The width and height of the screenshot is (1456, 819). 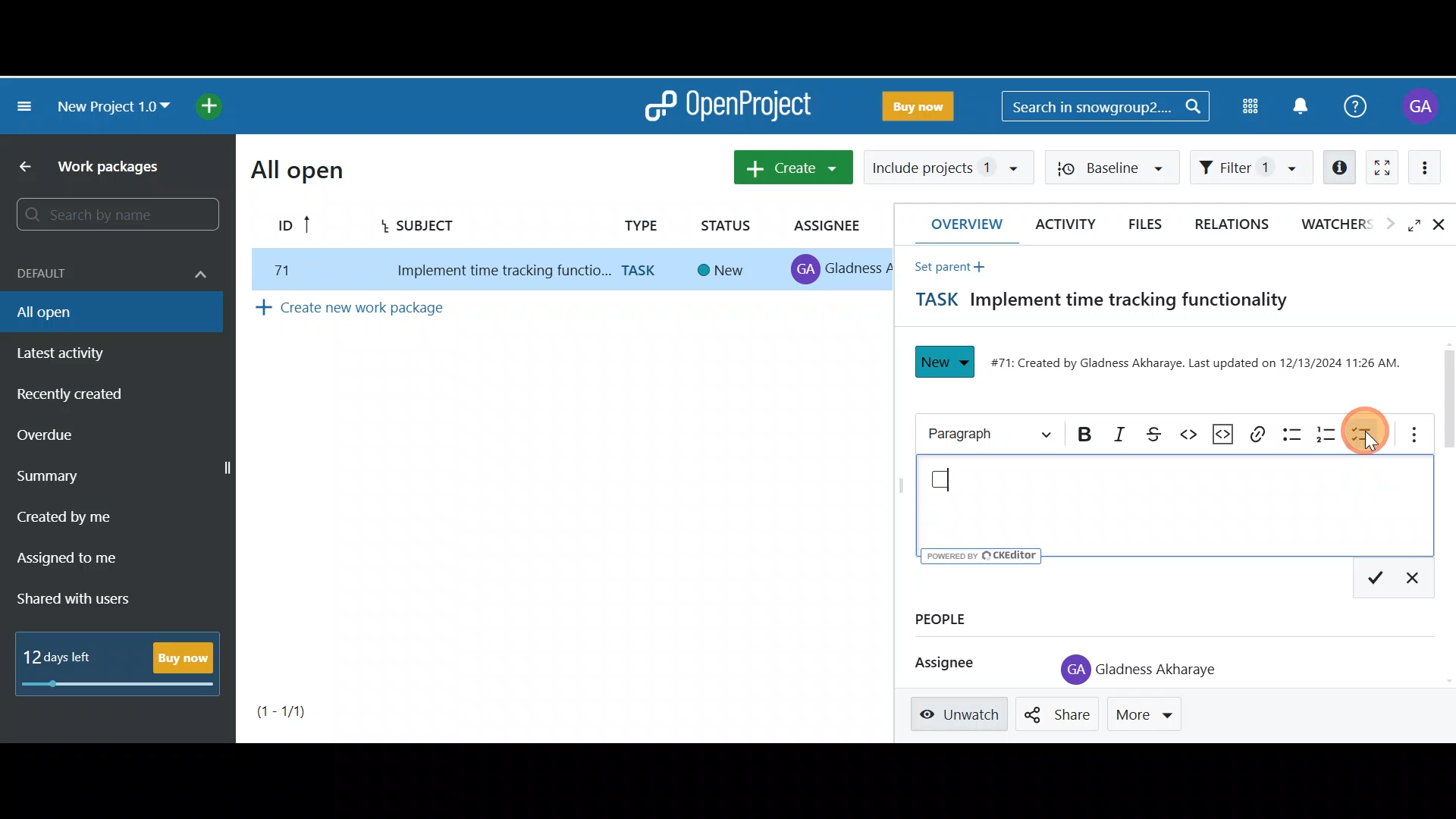 What do you see at coordinates (109, 273) in the screenshot?
I see `Default` at bounding box center [109, 273].